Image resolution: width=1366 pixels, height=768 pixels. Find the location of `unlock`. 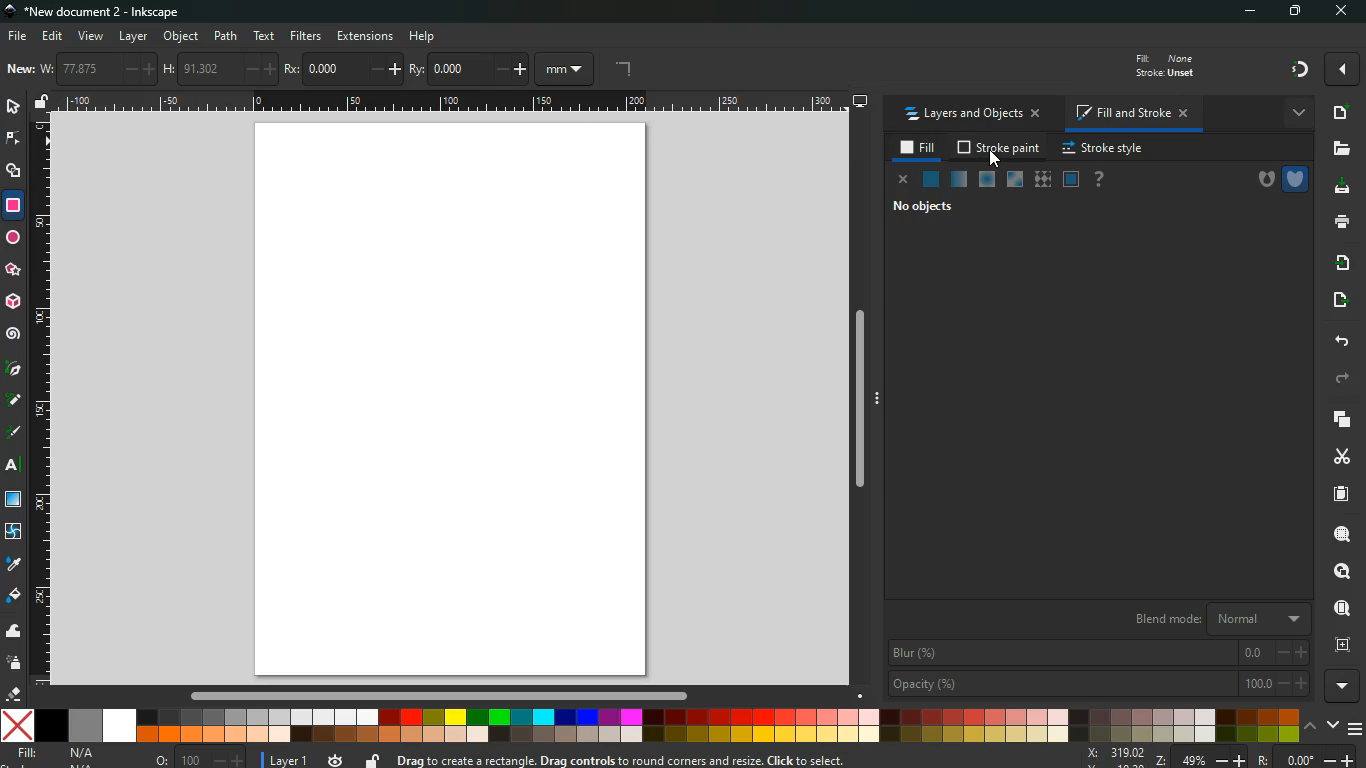

unlock is located at coordinates (45, 104).